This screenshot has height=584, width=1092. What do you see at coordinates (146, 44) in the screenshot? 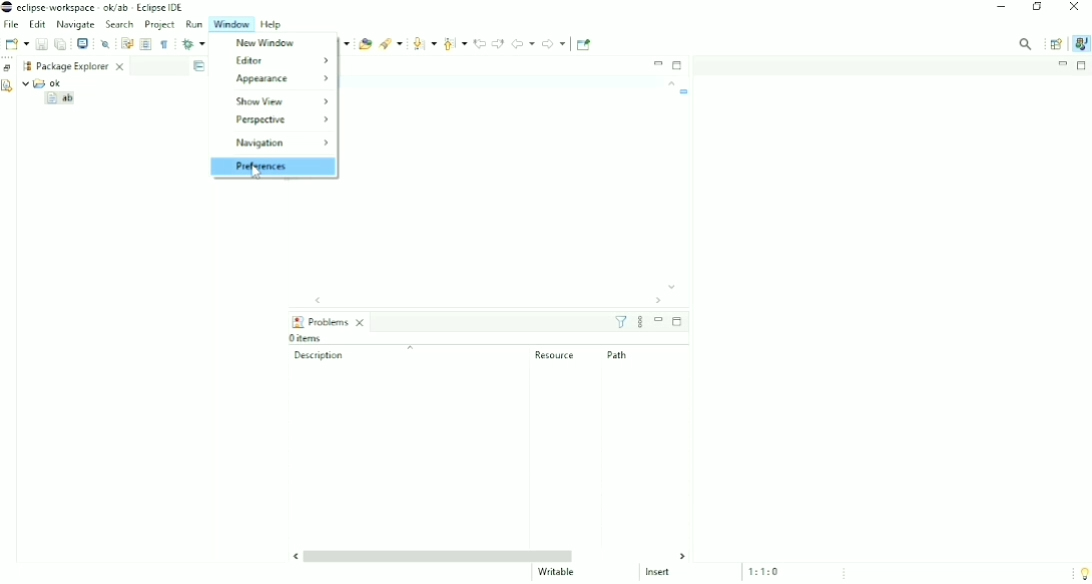
I see `Toggle Block Selection` at bounding box center [146, 44].